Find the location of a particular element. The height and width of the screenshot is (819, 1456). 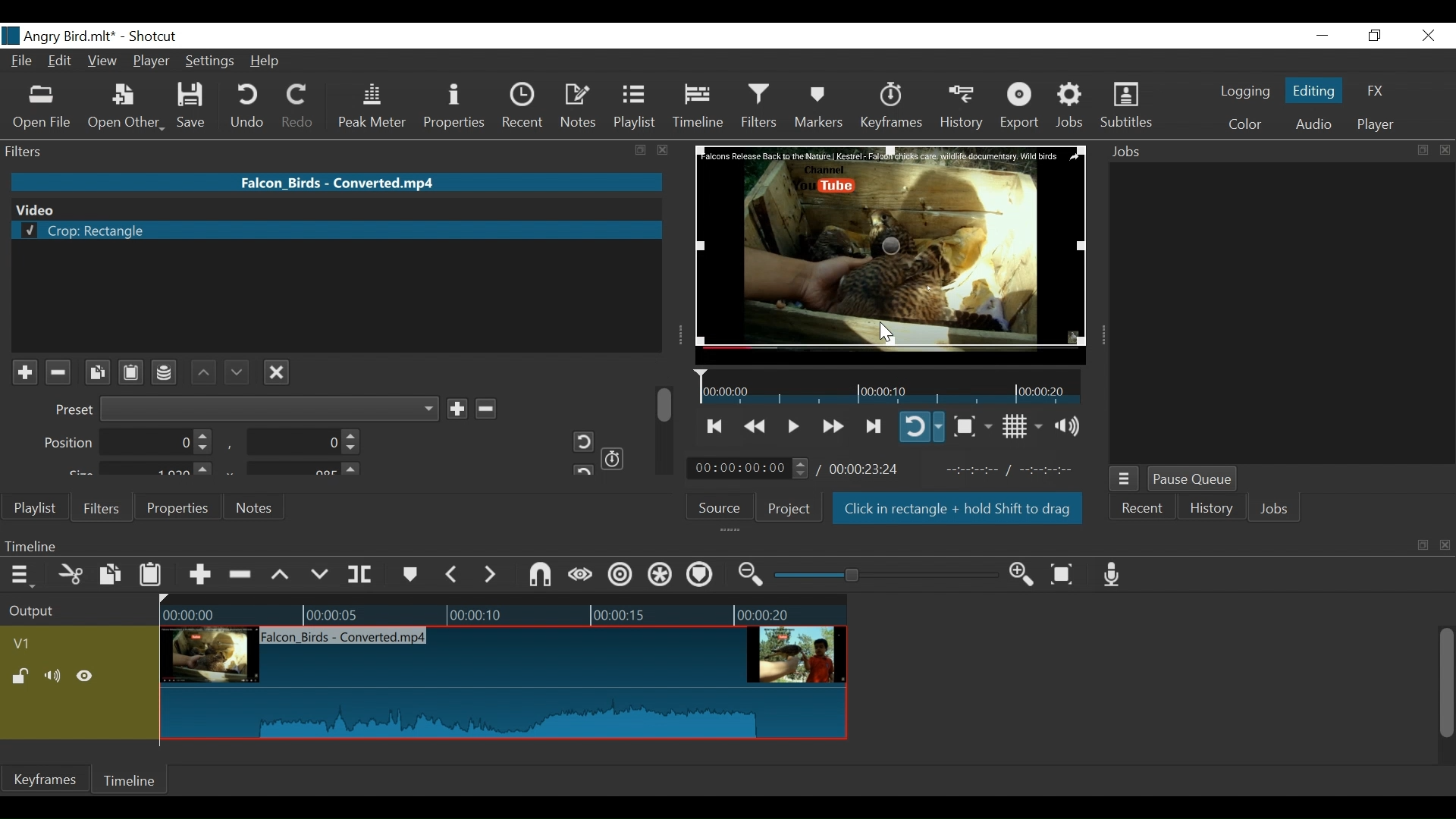

Project is located at coordinates (789, 508).